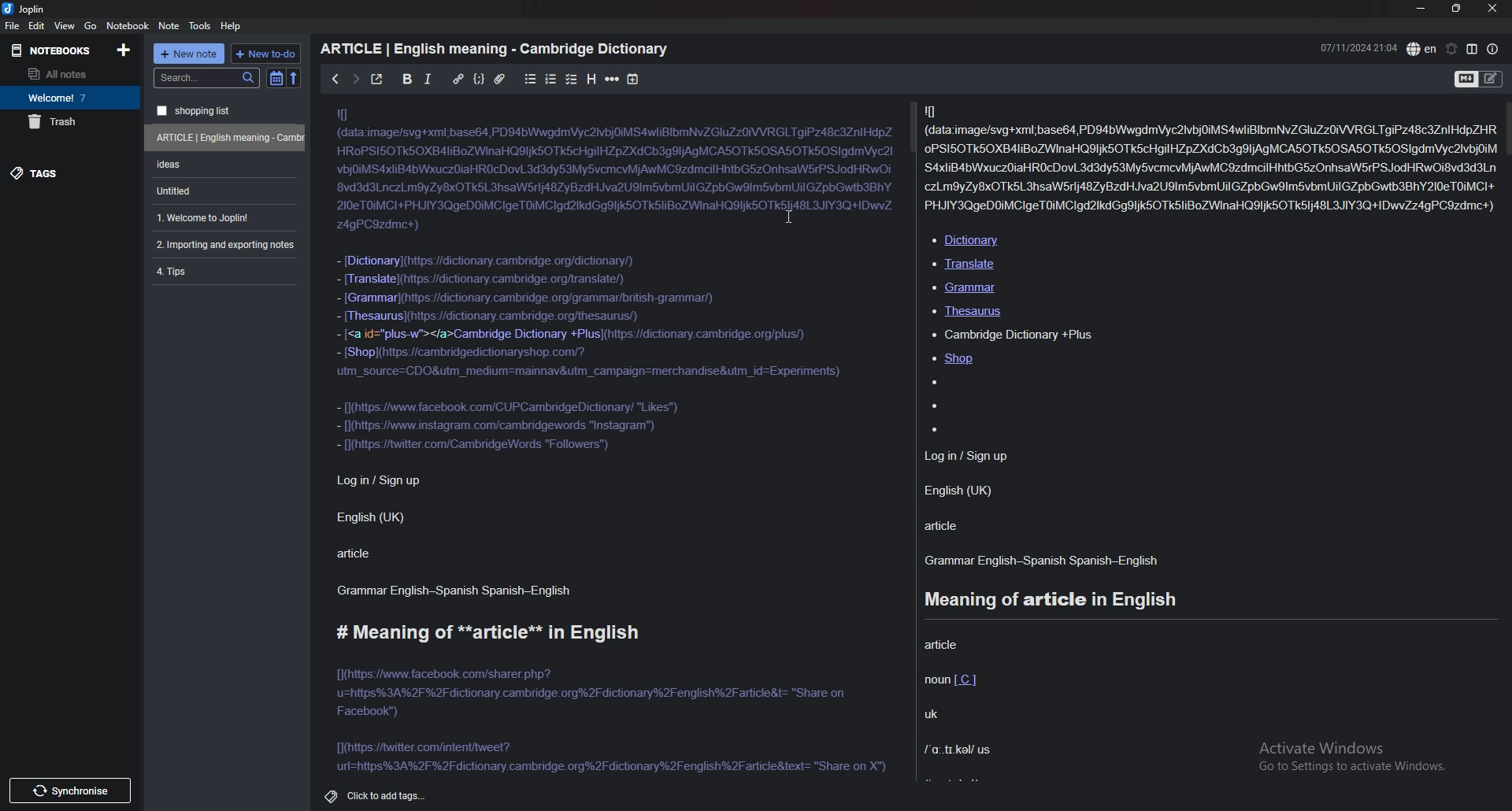 The image size is (1512, 811). What do you see at coordinates (70, 122) in the screenshot?
I see `trash` at bounding box center [70, 122].